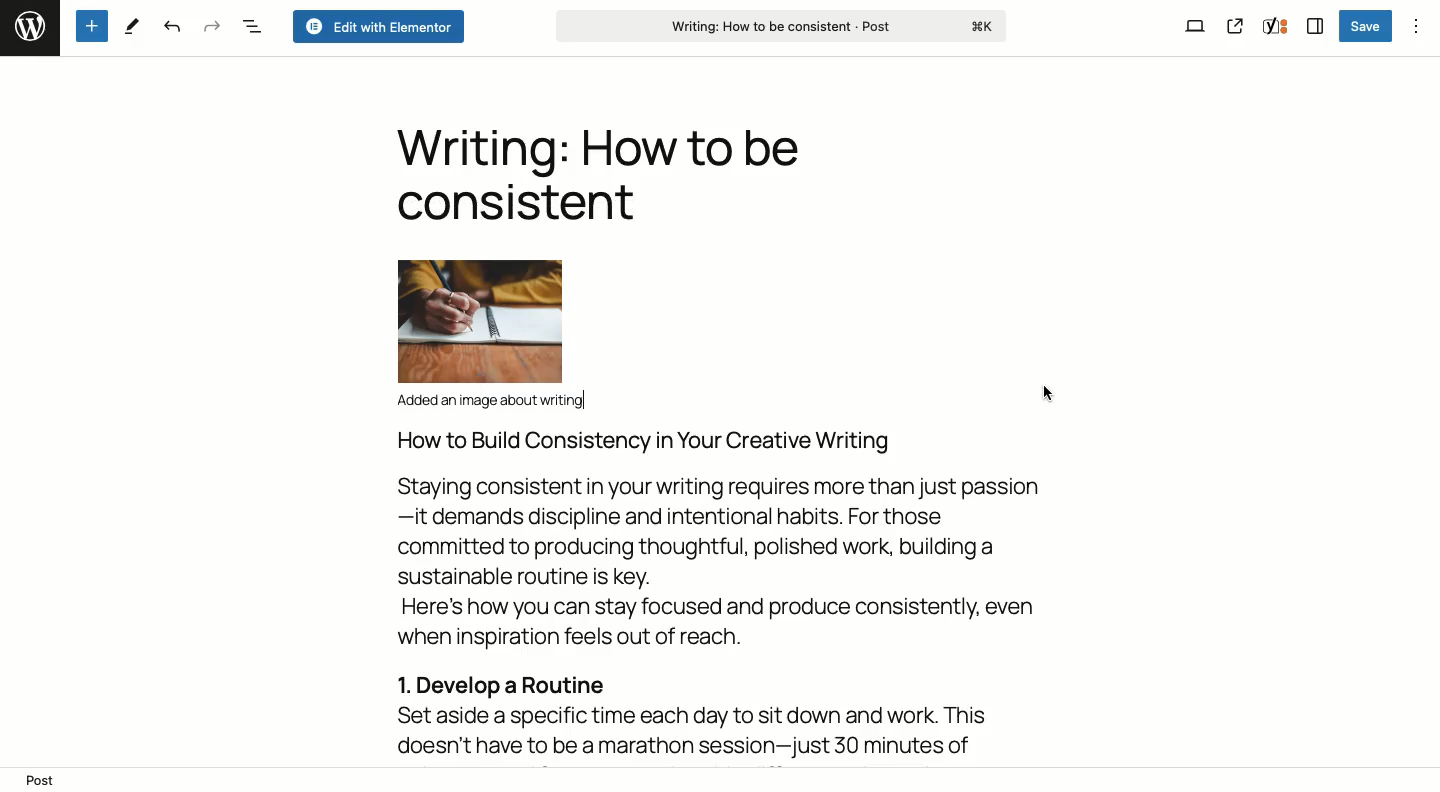  What do you see at coordinates (596, 173) in the screenshot?
I see `Writing: How to be
consistent` at bounding box center [596, 173].